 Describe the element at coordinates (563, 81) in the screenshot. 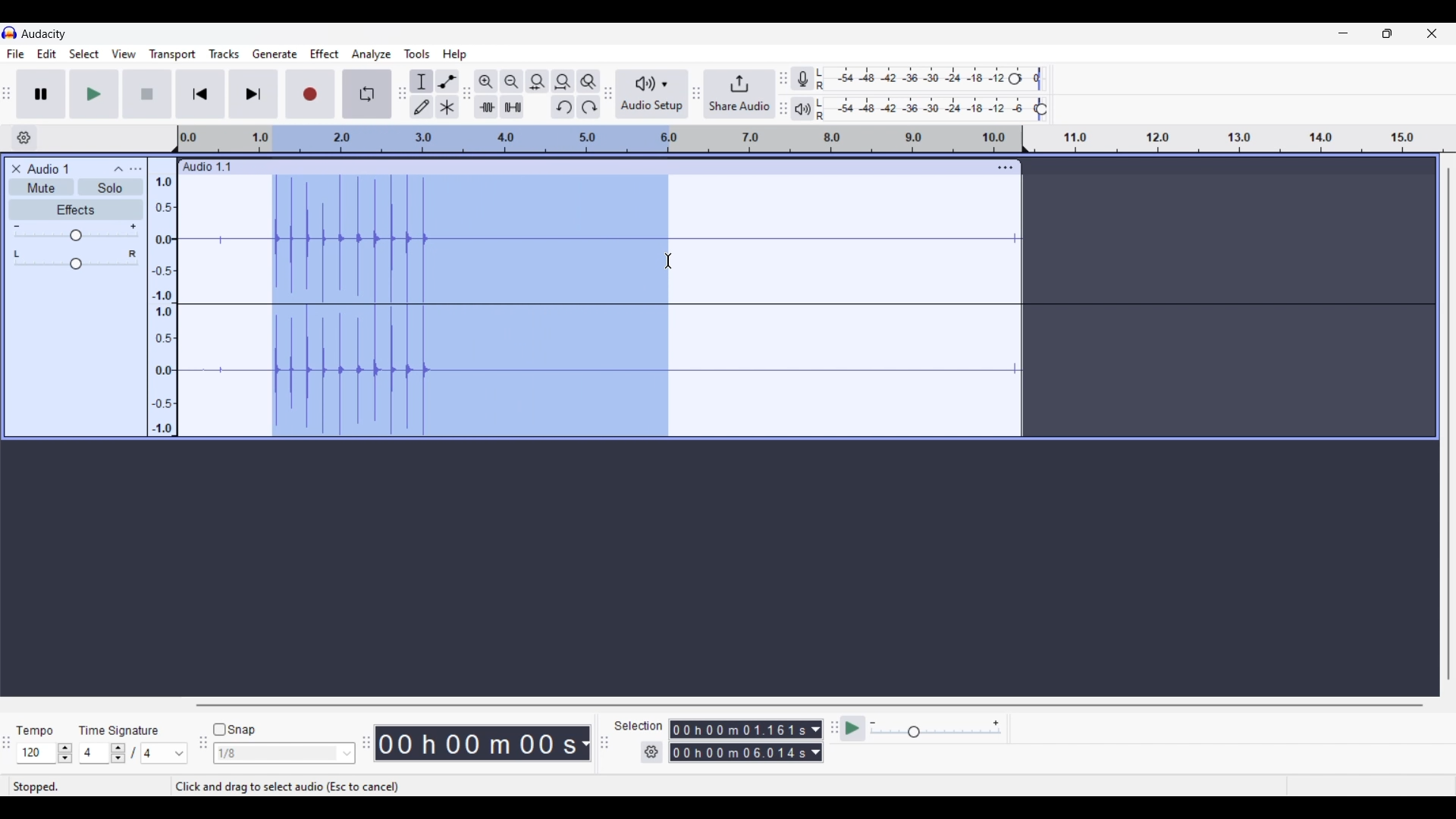

I see `Fit project to width` at that location.